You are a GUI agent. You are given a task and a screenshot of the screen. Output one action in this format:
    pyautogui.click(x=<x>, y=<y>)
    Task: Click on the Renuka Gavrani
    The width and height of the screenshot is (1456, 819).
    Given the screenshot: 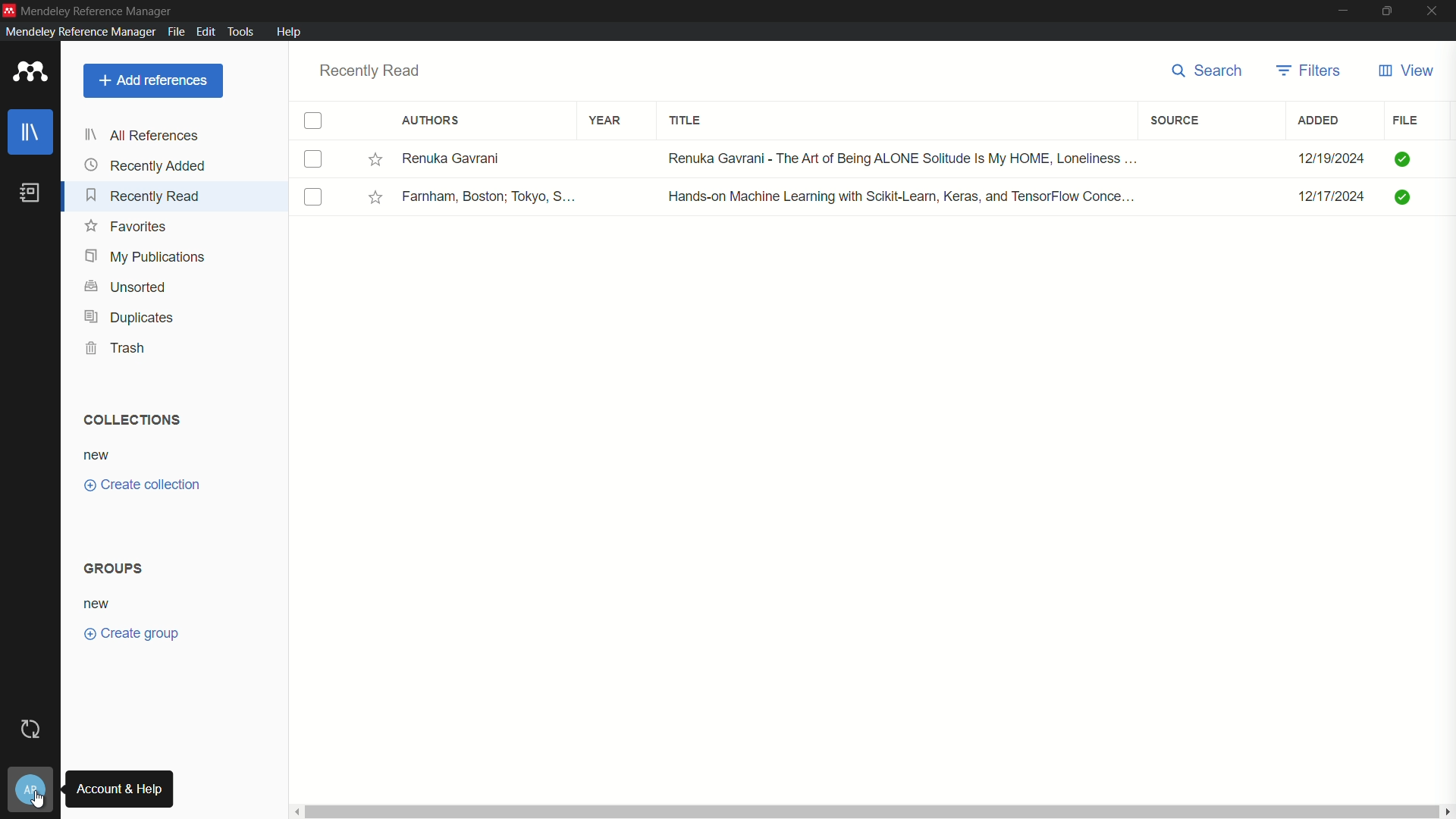 What is the action you would take?
    pyautogui.click(x=486, y=160)
    